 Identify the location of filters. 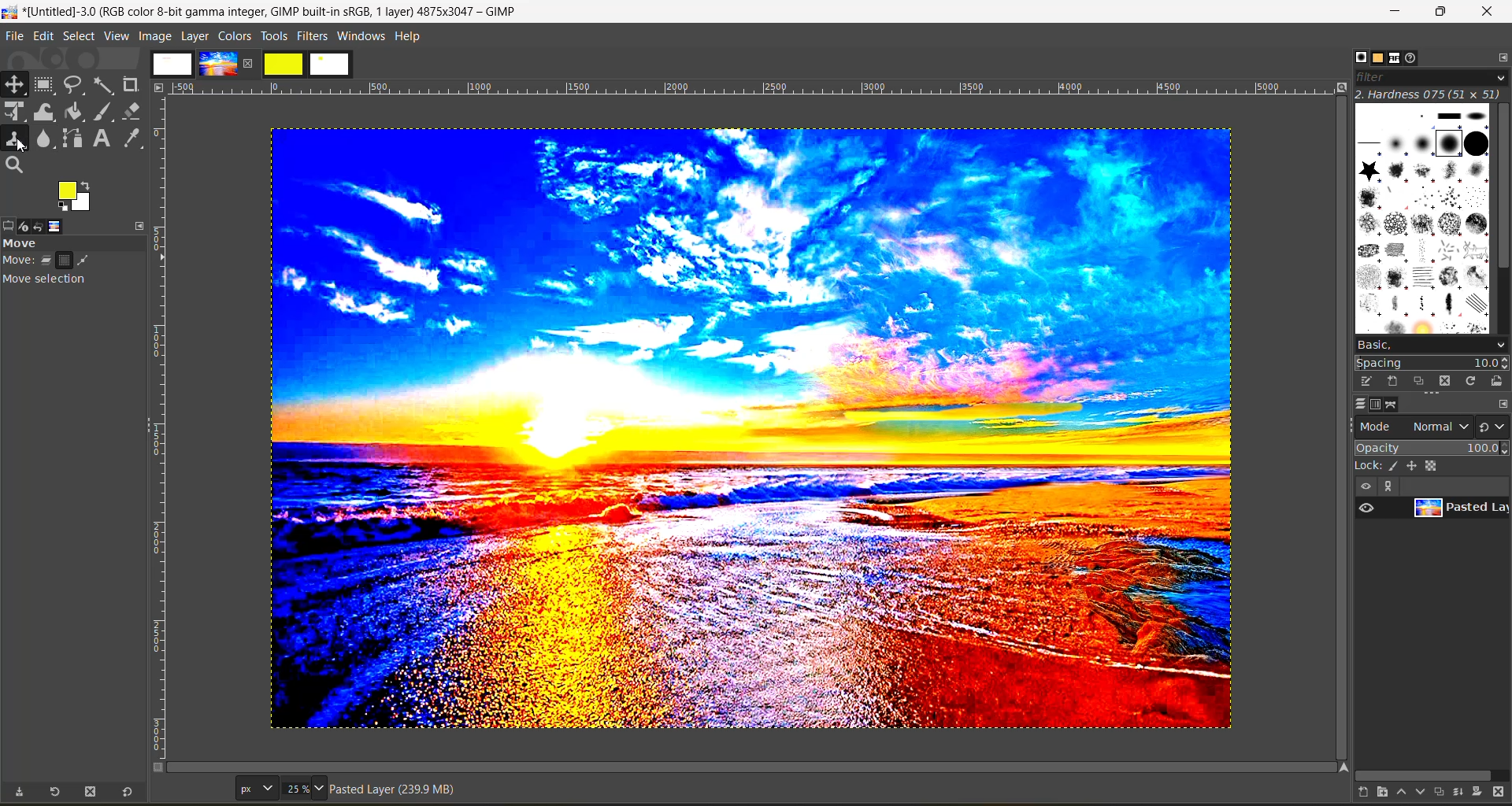
(314, 35).